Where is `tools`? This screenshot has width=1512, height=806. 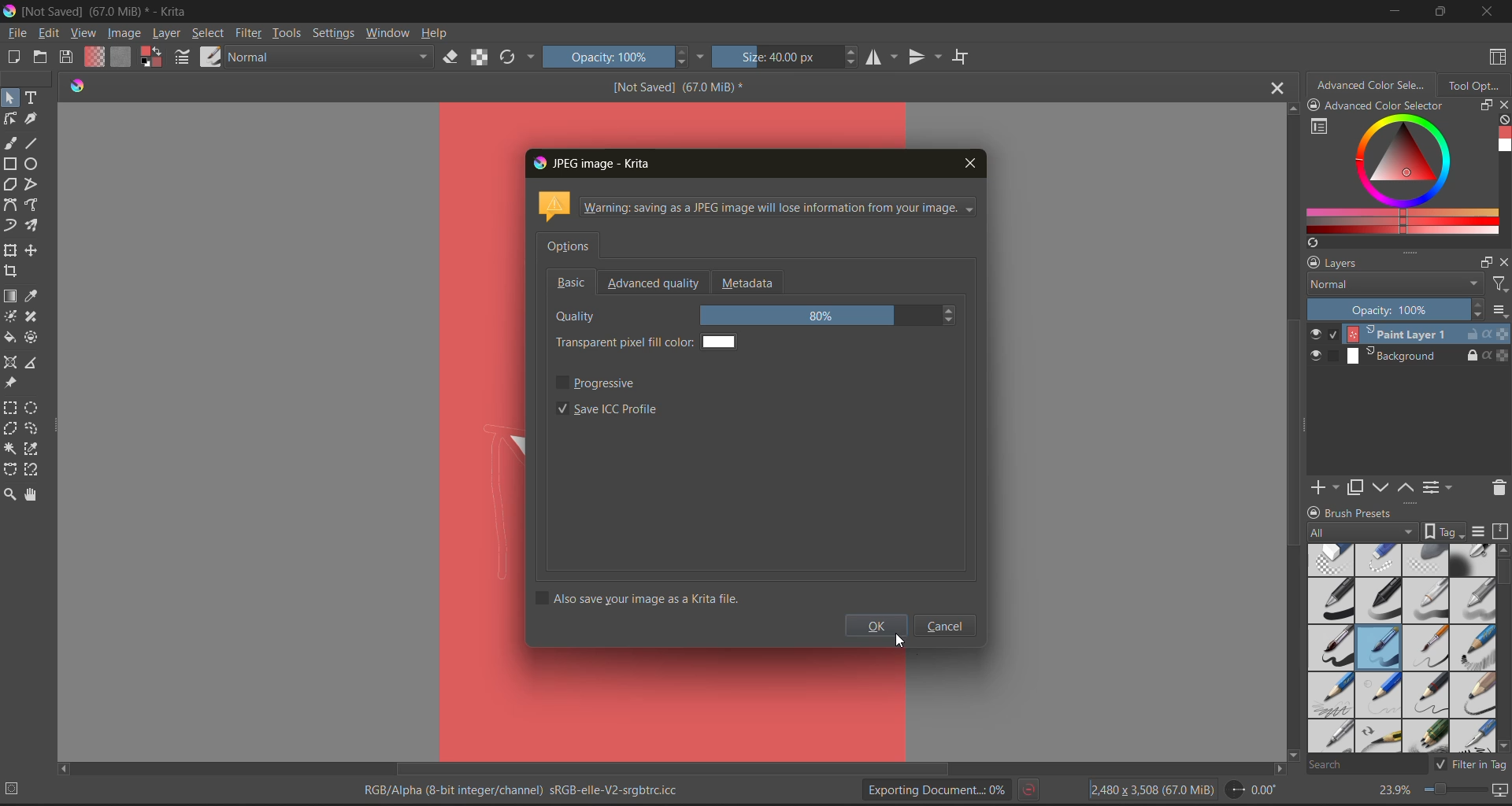 tools is located at coordinates (35, 205).